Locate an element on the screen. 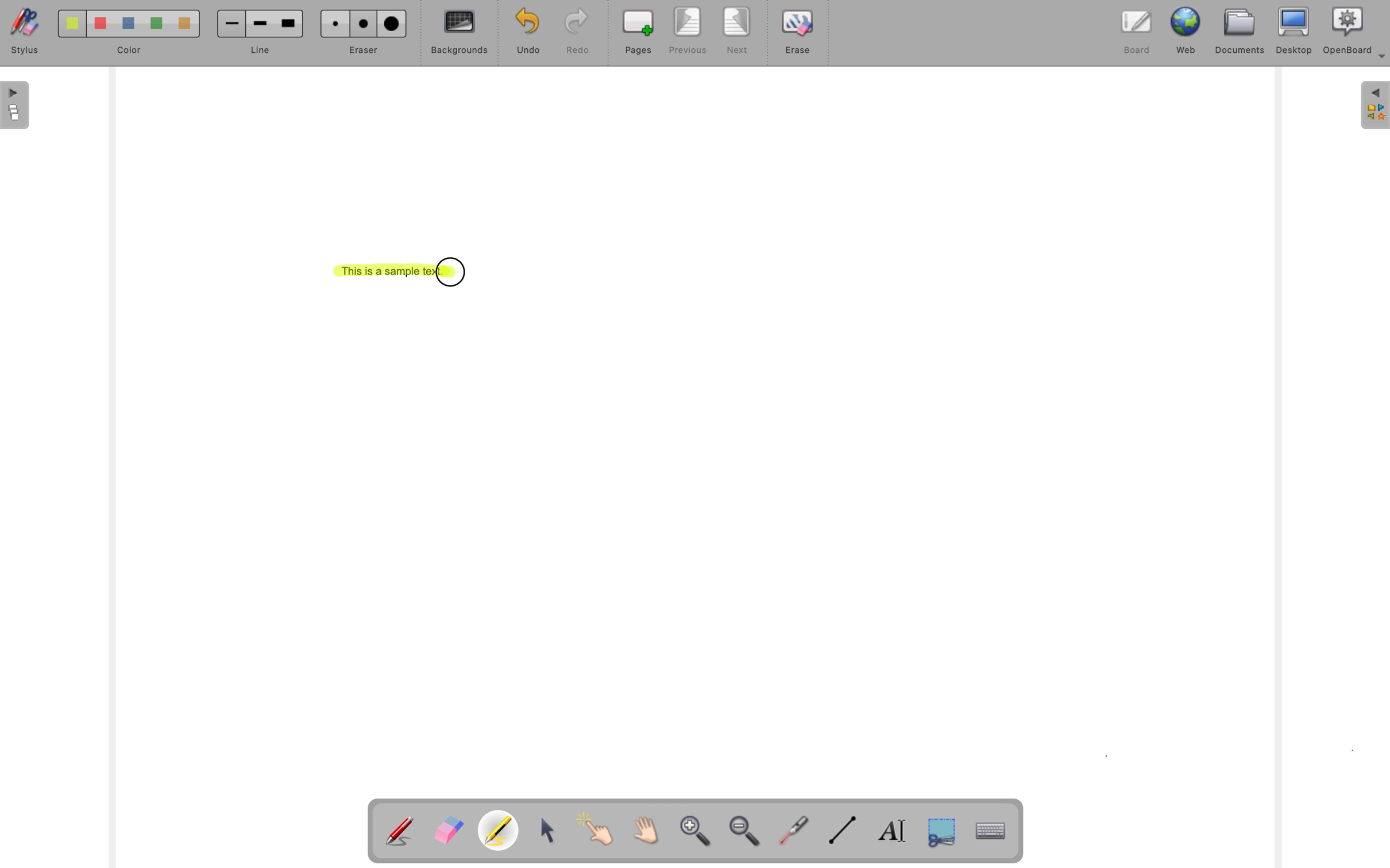 The height and width of the screenshot is (868, 1390). Annotate document is located at coordinates (400, 828).